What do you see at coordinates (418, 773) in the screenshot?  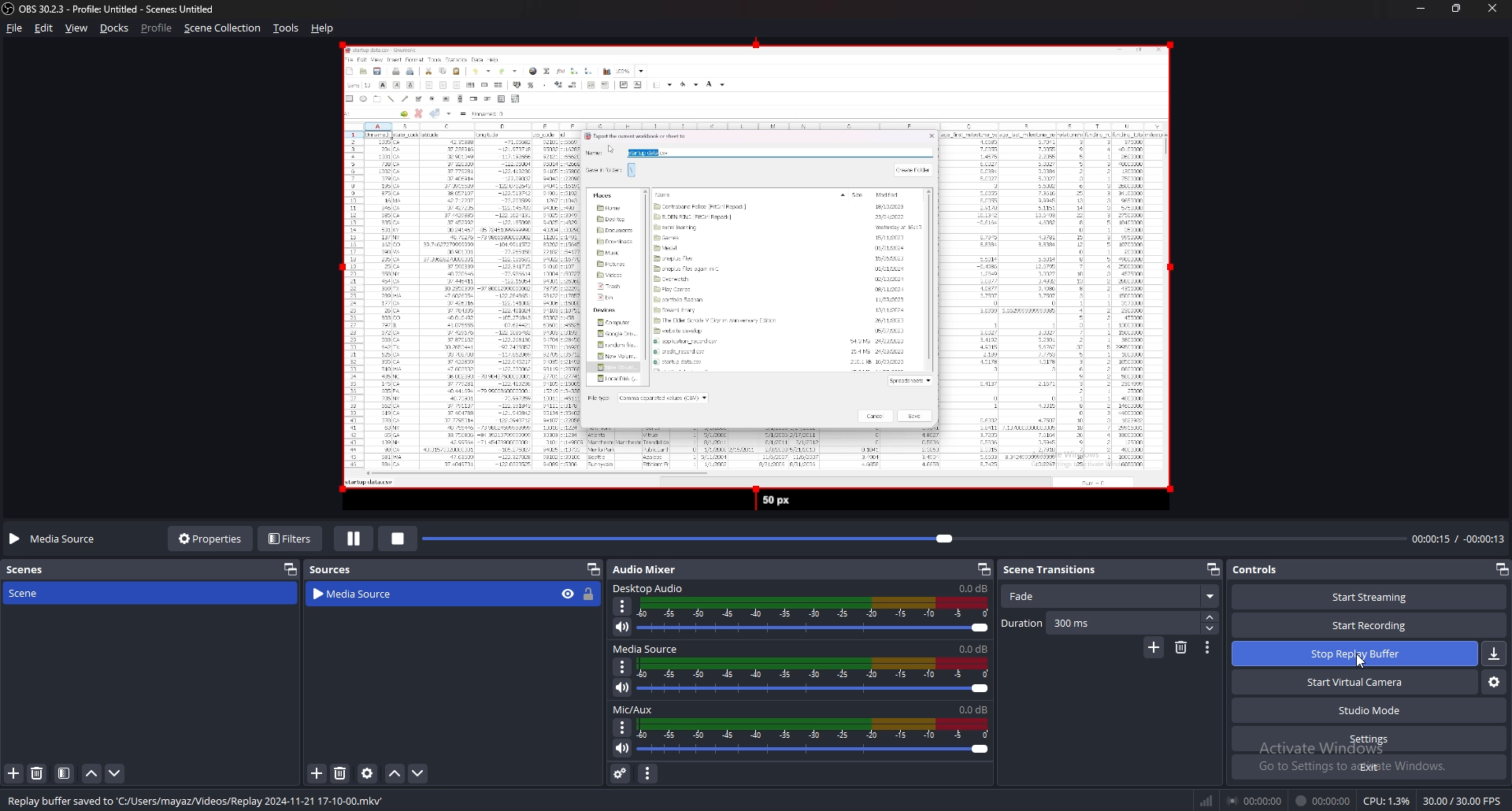 I see `move source down` at bounding box center [418, 773].